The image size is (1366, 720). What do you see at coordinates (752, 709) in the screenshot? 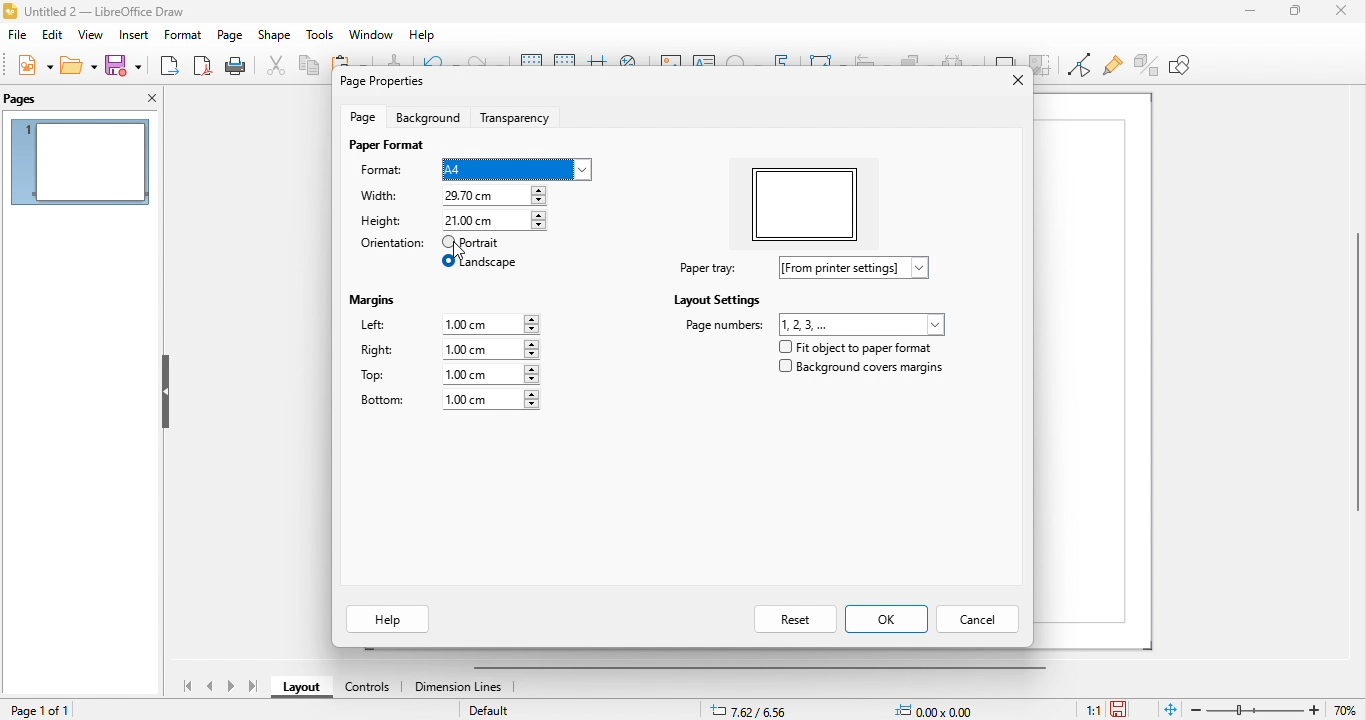
I see `7.62/6.56` at bounding box center [752, 709].